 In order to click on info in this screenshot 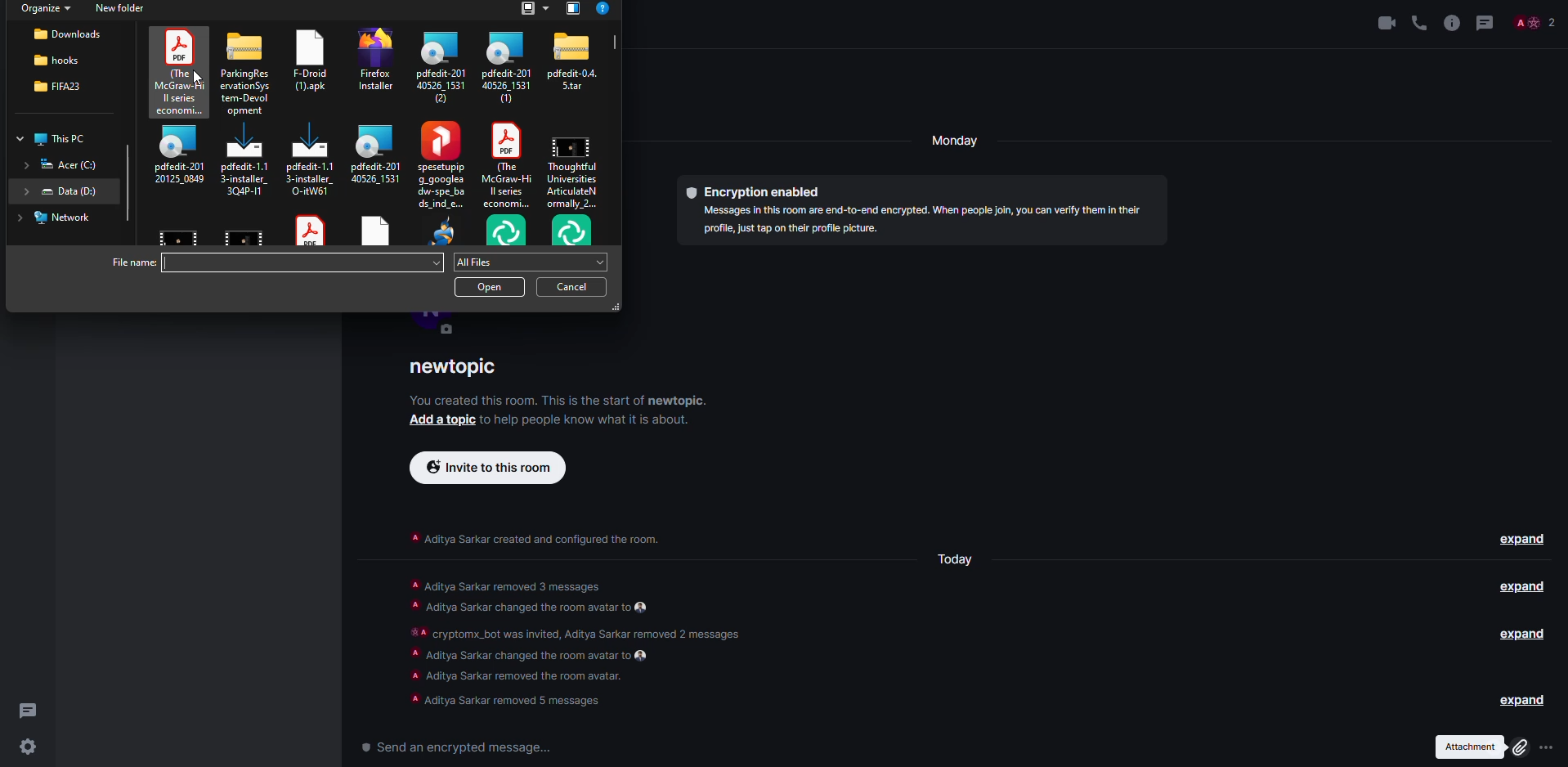, I will do `click(1451, 22)`.